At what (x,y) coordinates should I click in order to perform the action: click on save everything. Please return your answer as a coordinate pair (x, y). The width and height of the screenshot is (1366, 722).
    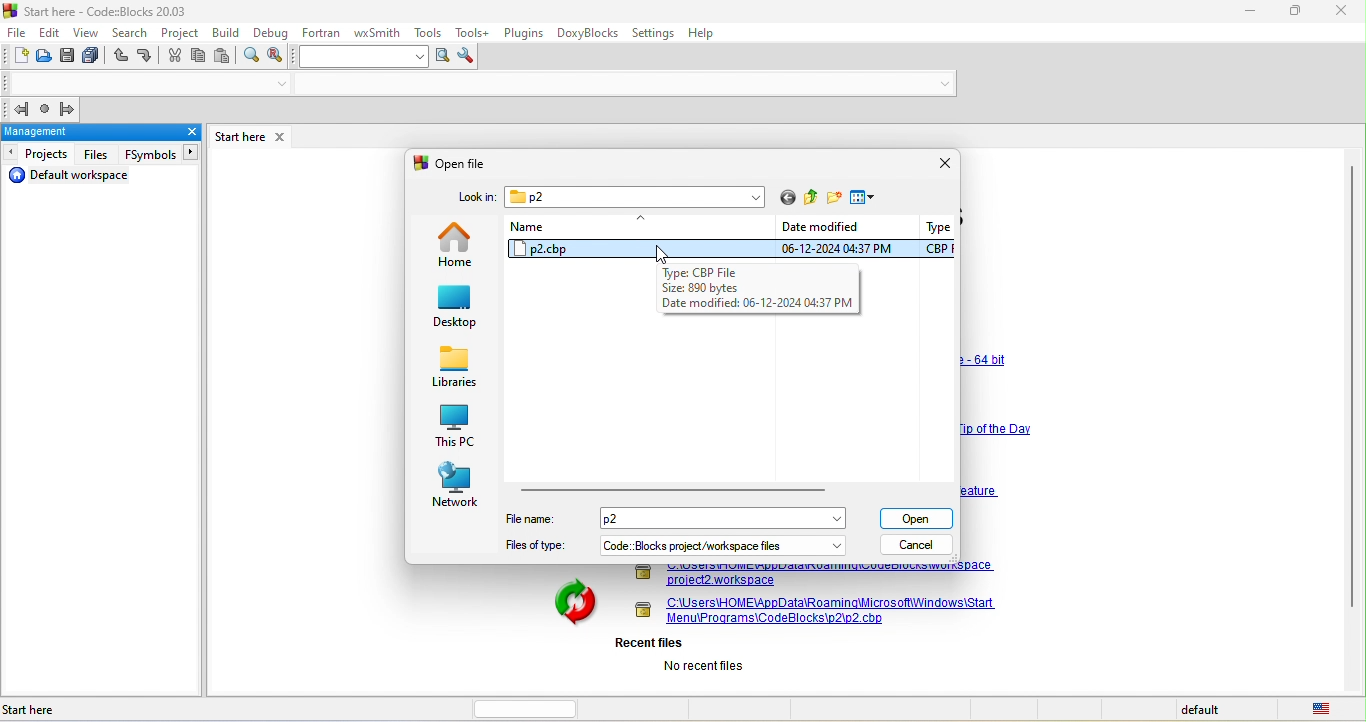
    Looking at the image, I should click on (94, 56).